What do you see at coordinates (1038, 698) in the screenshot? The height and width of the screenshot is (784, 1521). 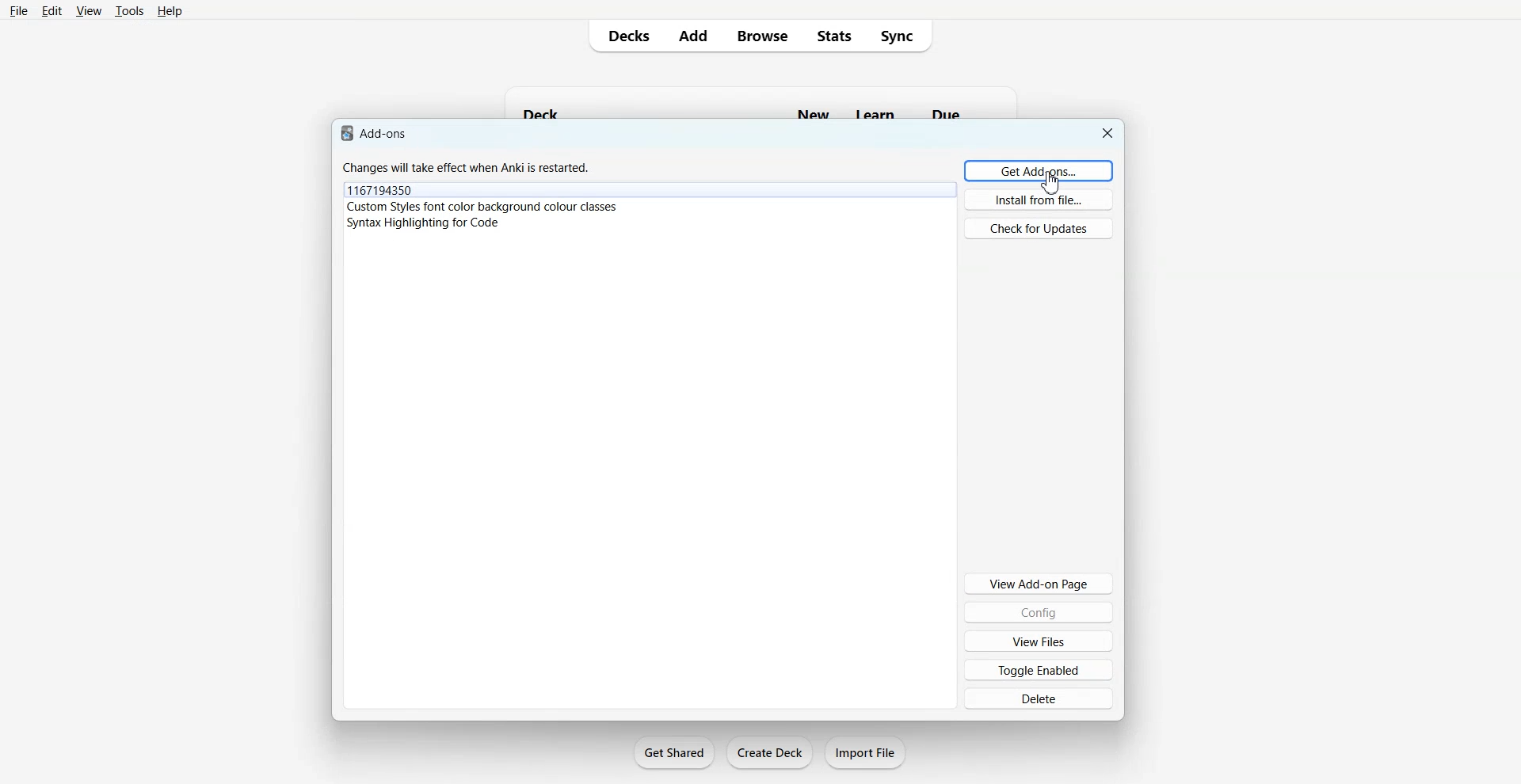 I see `Delete` at bounding box center [1038, 698].